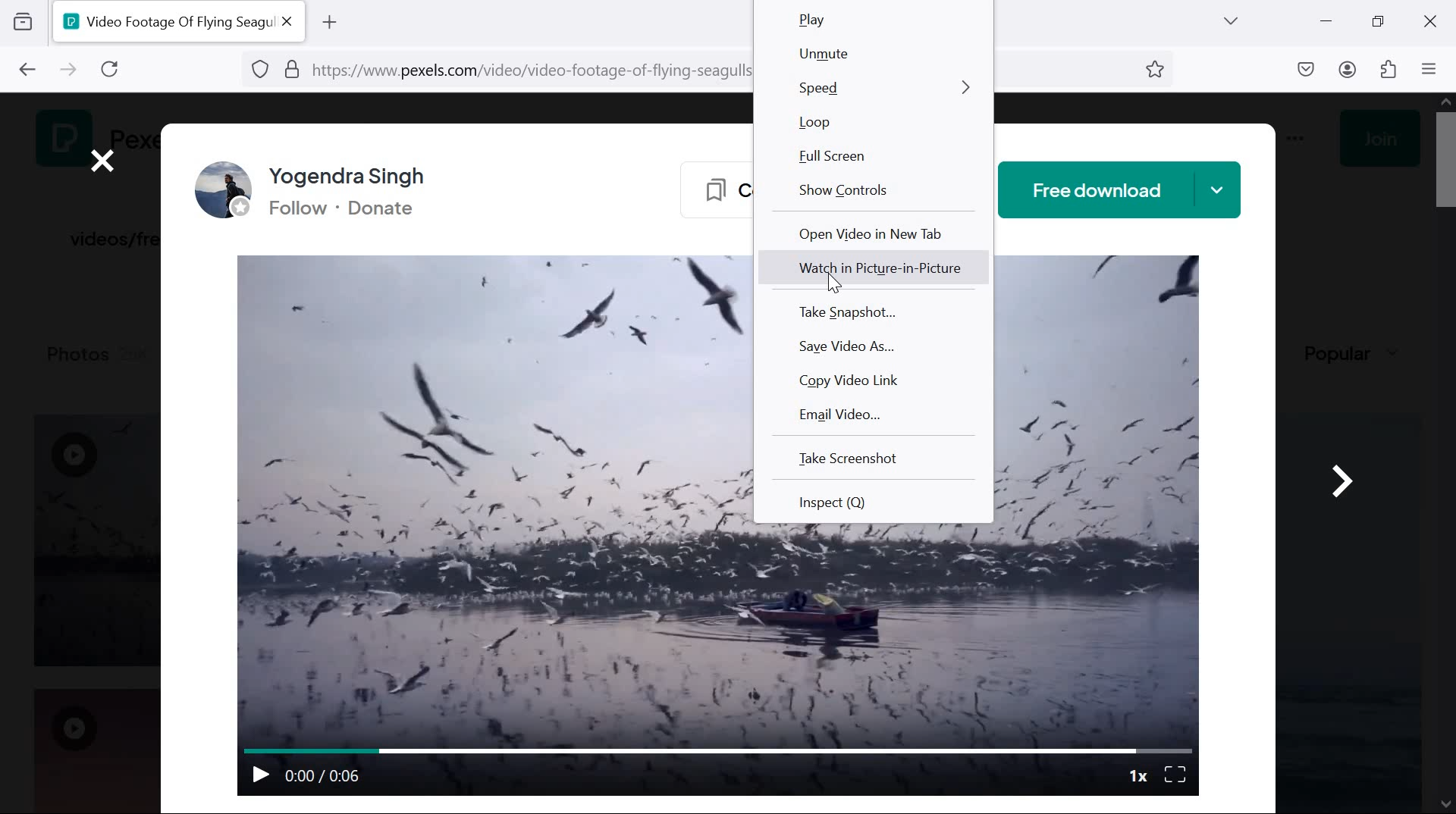 This screenshot has width=1456, height=814. Describe the element at coordinates (327, 775) in the screenshot. I see `0:00 / 0:06` at that location.